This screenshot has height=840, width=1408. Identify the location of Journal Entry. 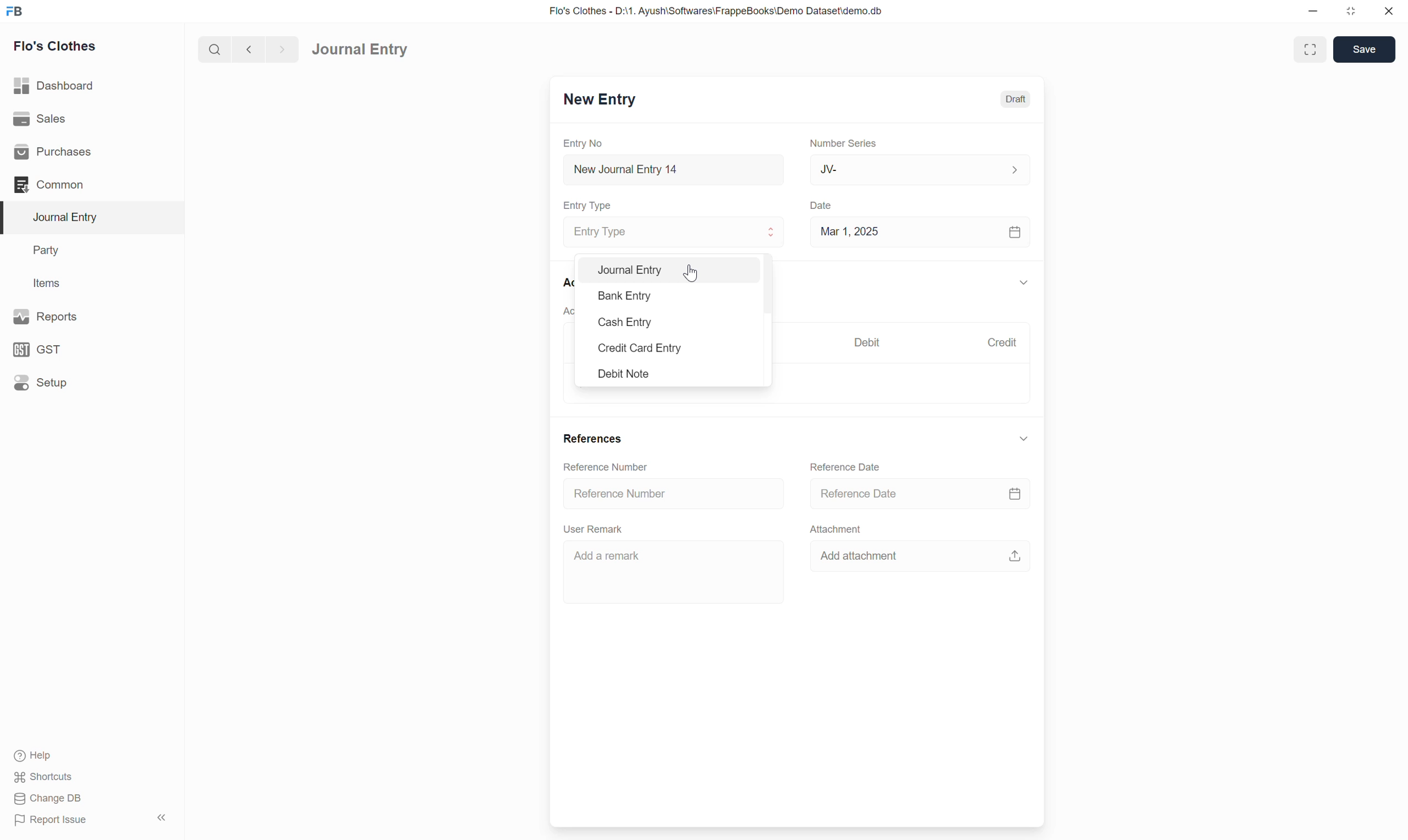
(360, 50).